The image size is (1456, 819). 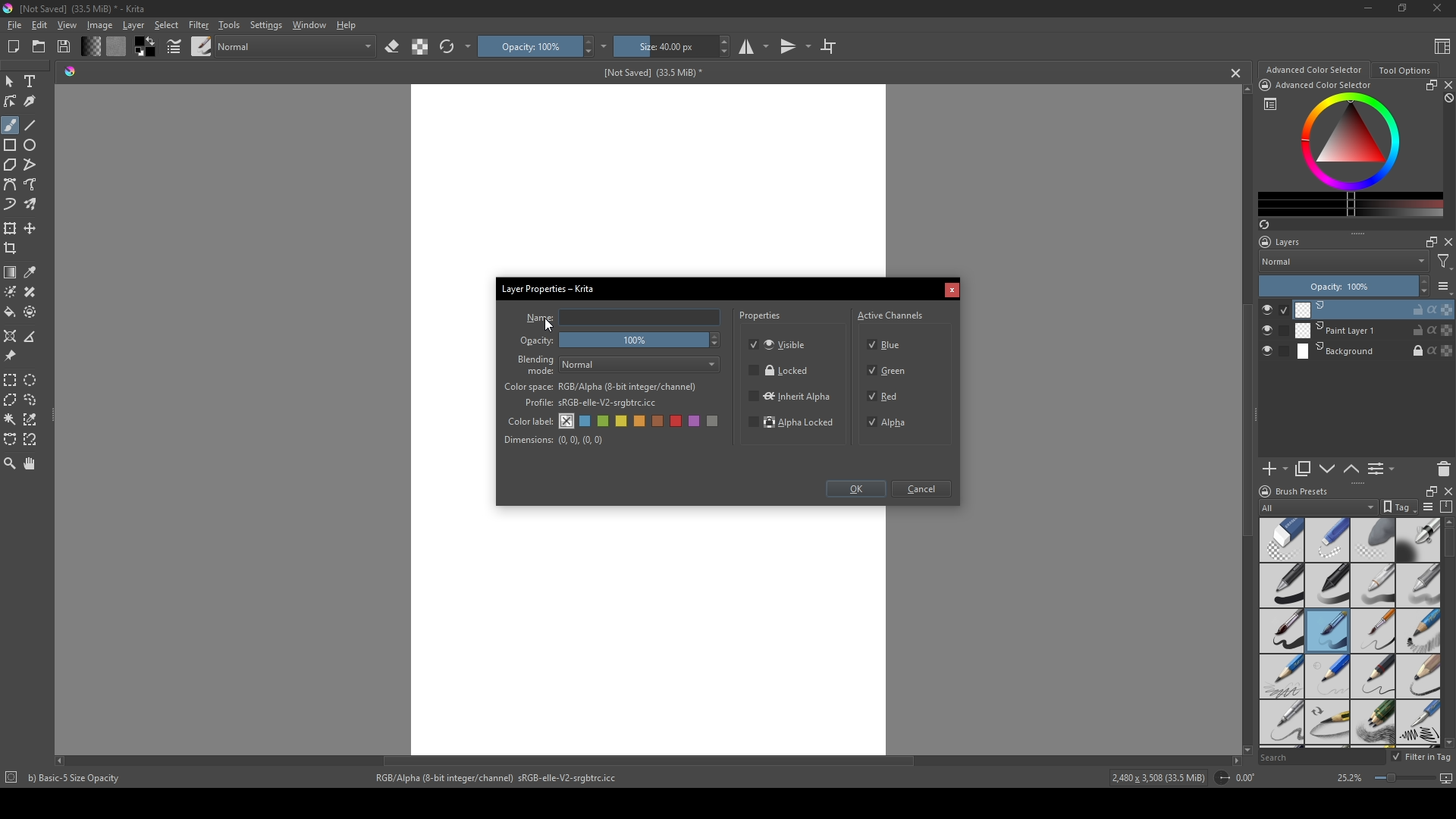 I want to click on scroll down, so click(x=1244, y=748).